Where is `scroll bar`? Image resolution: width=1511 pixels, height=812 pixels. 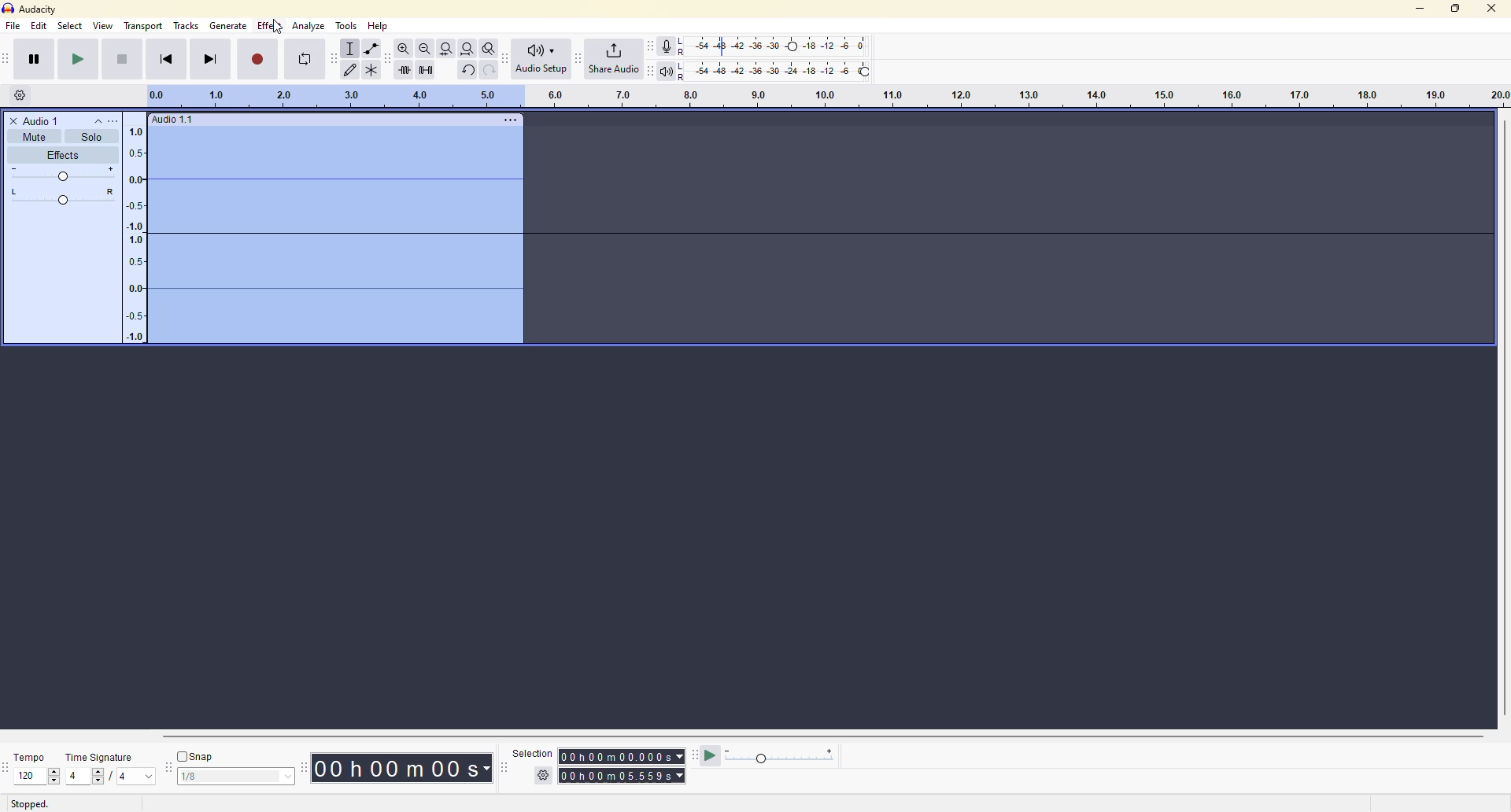
scroll bar is located at coordinates (804, 736).